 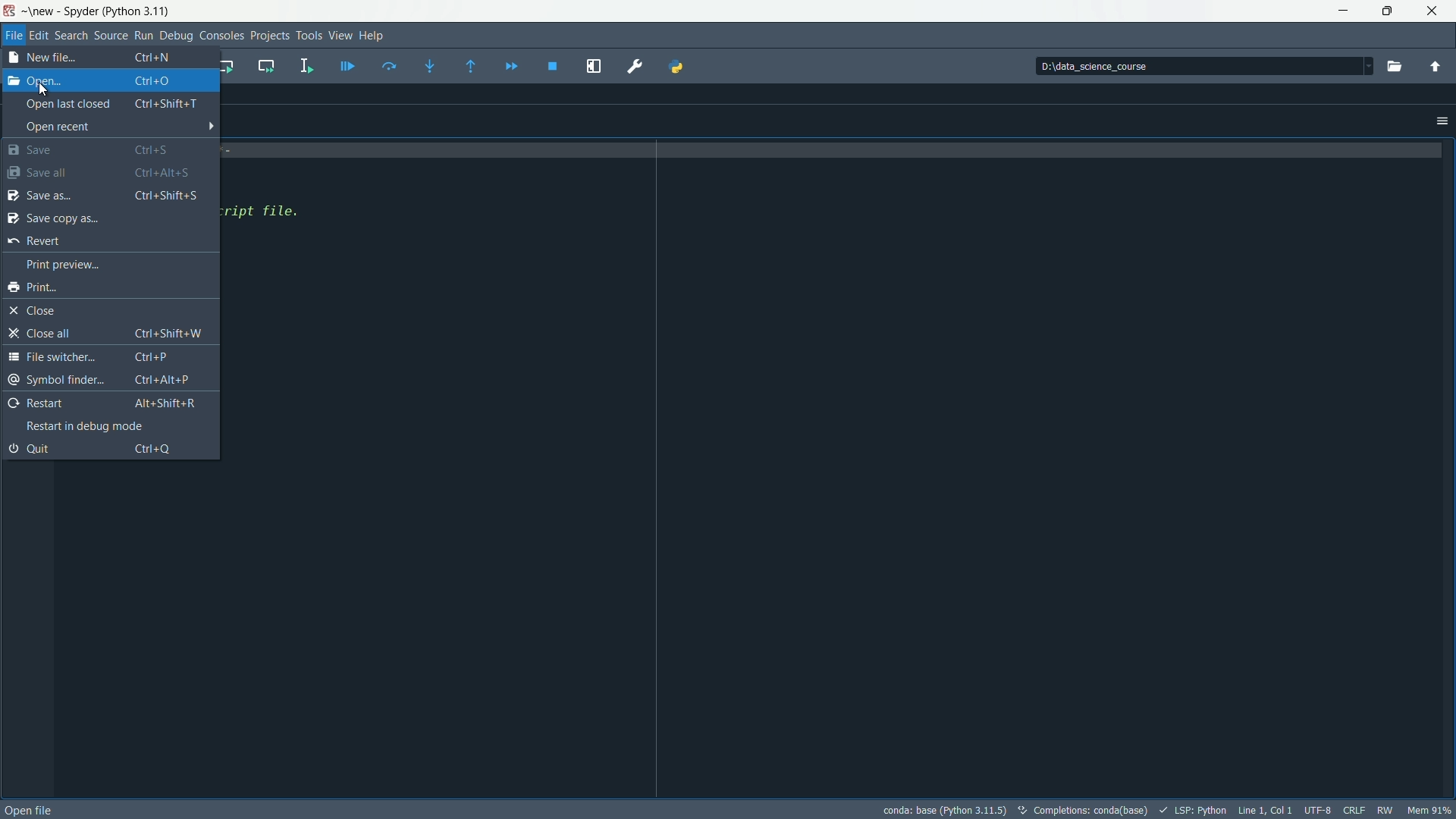 What do you see at coordinates (1351, 809) in the screenshot?
I see `file eol status` at bounding box center [1351, 809].